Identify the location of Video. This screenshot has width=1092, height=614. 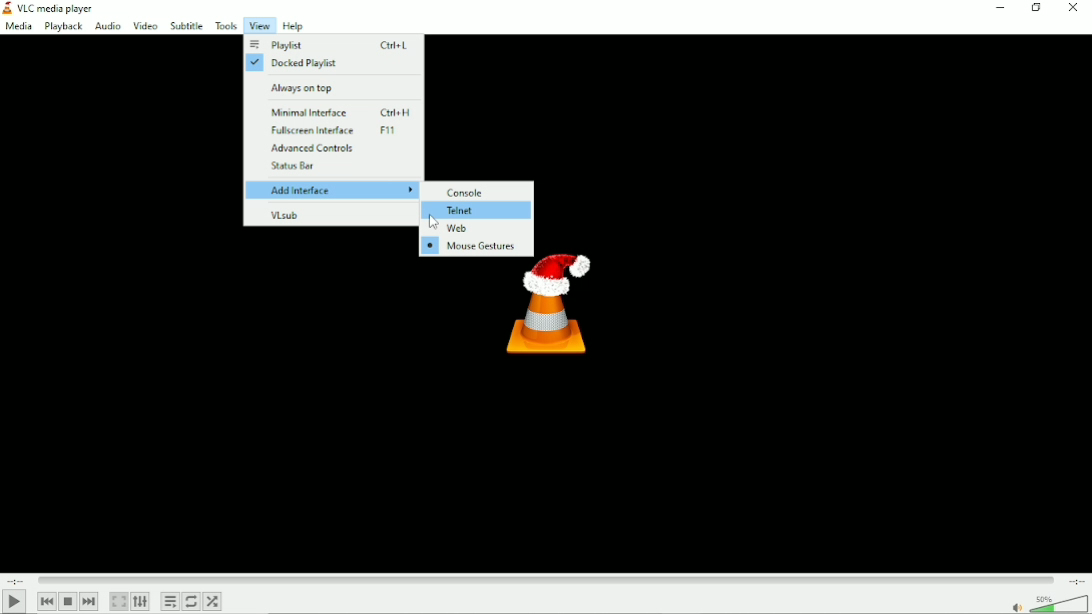
(144, 25).